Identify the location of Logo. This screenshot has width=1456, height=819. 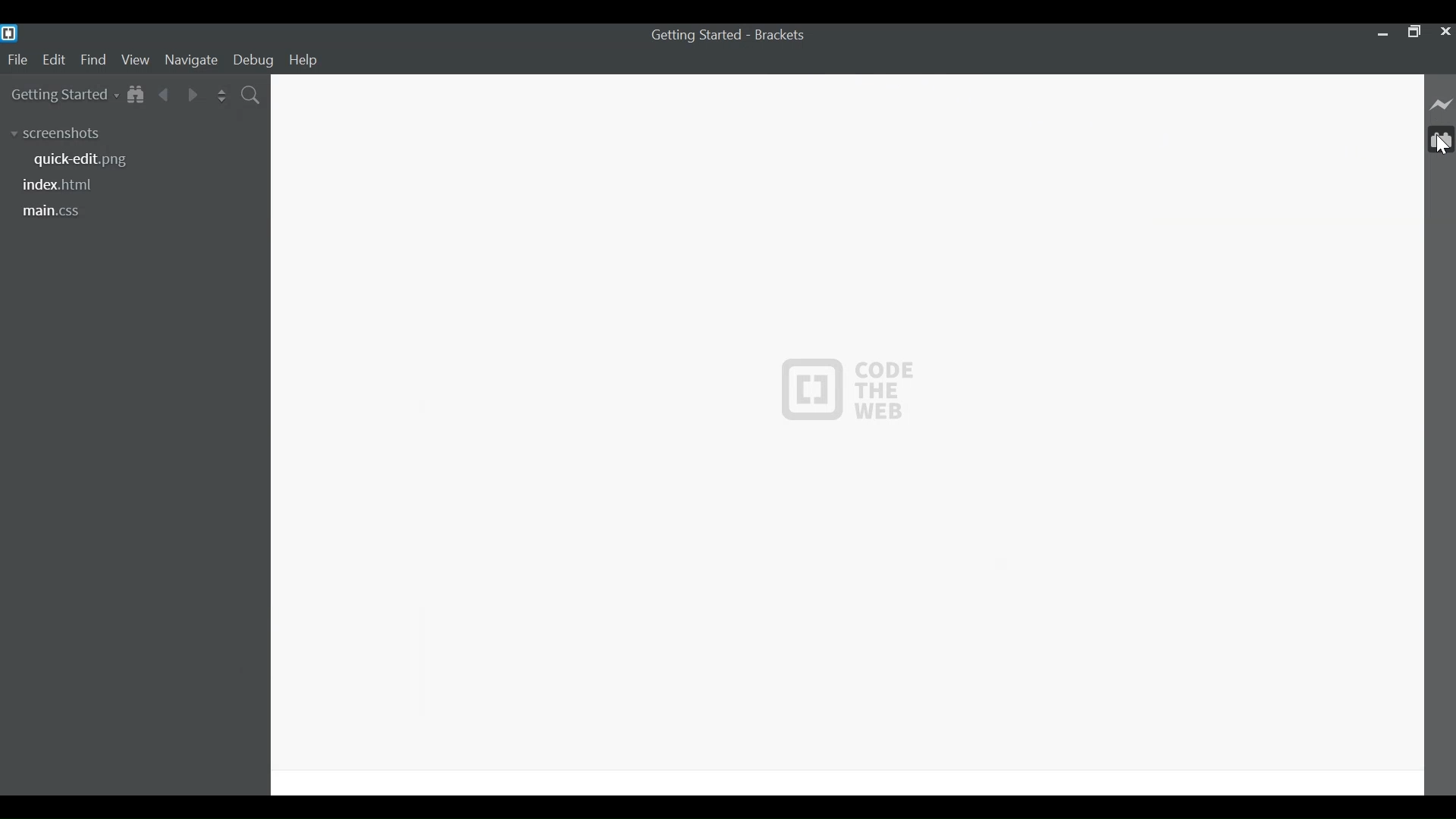
(848, 392).